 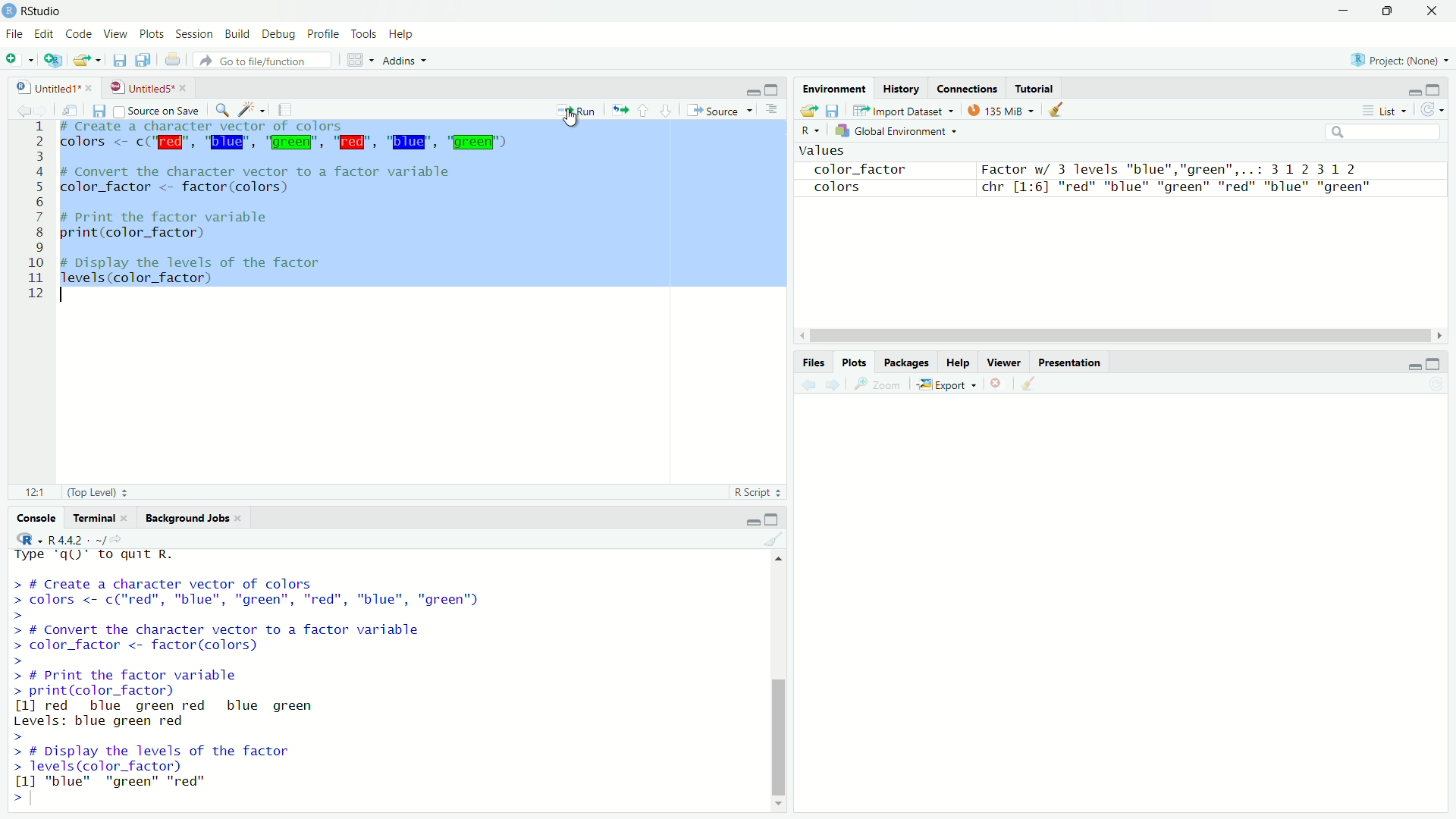 I want to click on session, so click(x=195, y=34).